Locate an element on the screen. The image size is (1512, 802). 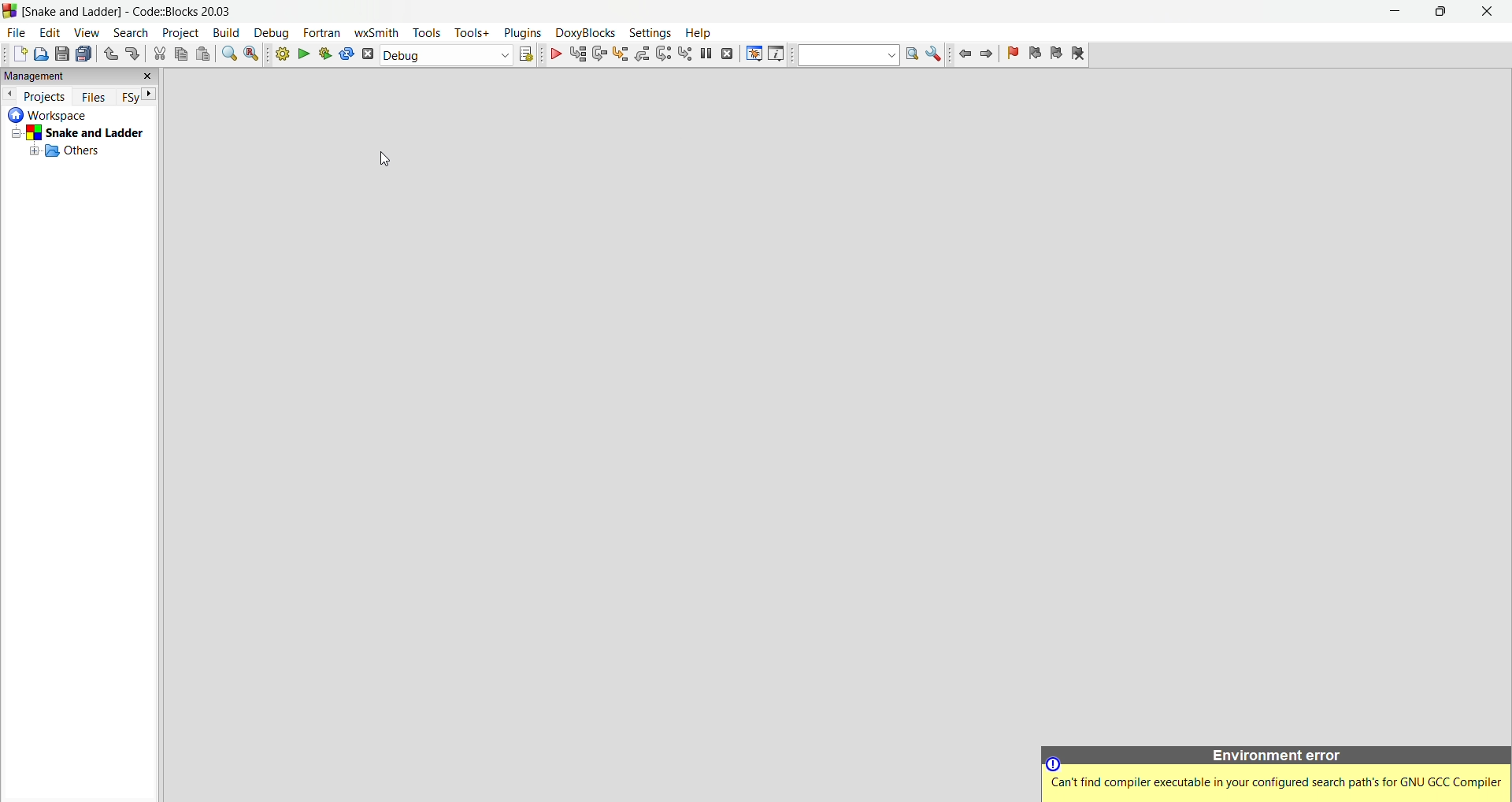
run search  is located at coordinates (912, 56).